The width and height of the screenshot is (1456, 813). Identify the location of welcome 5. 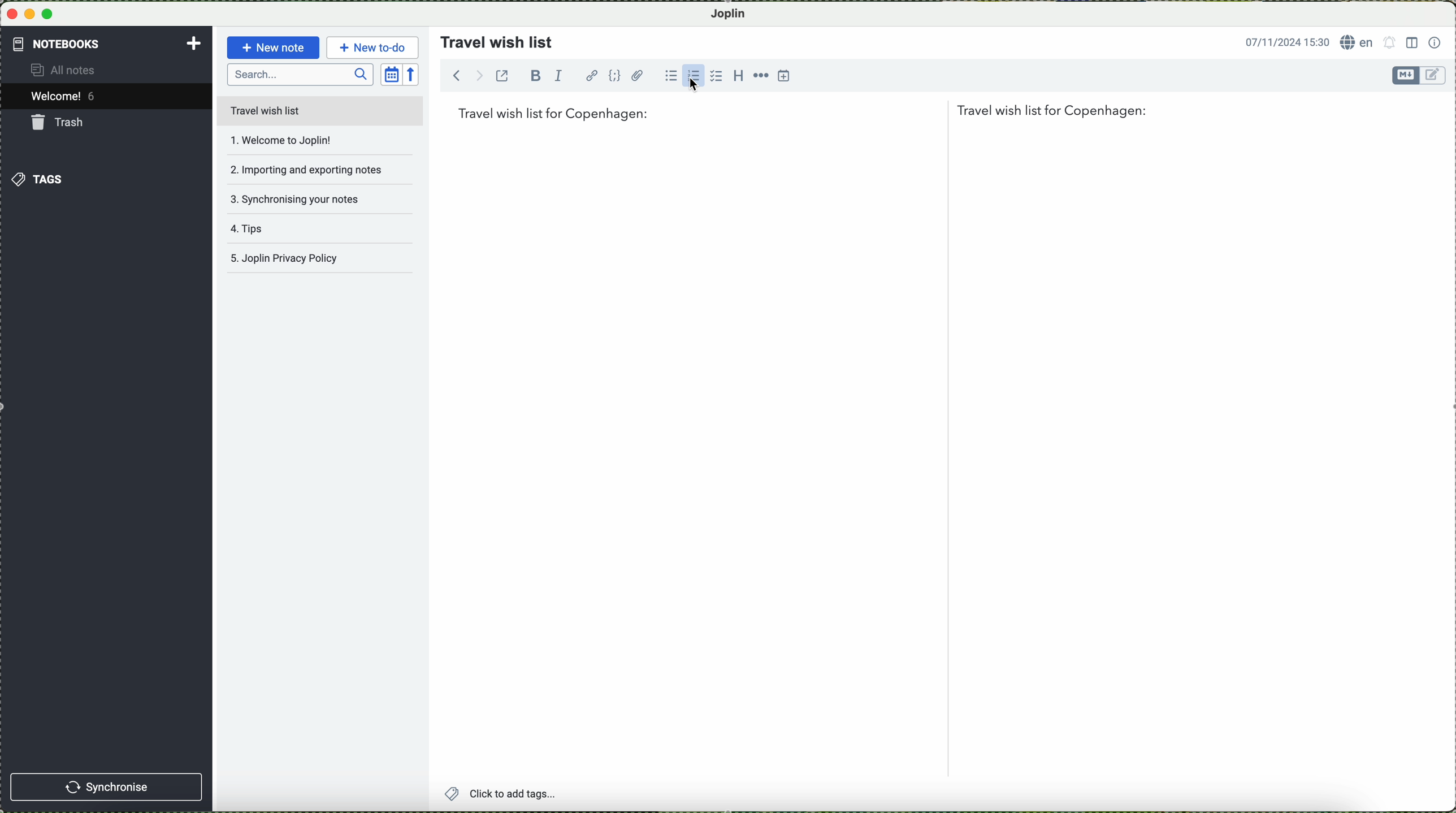
(66, 98).